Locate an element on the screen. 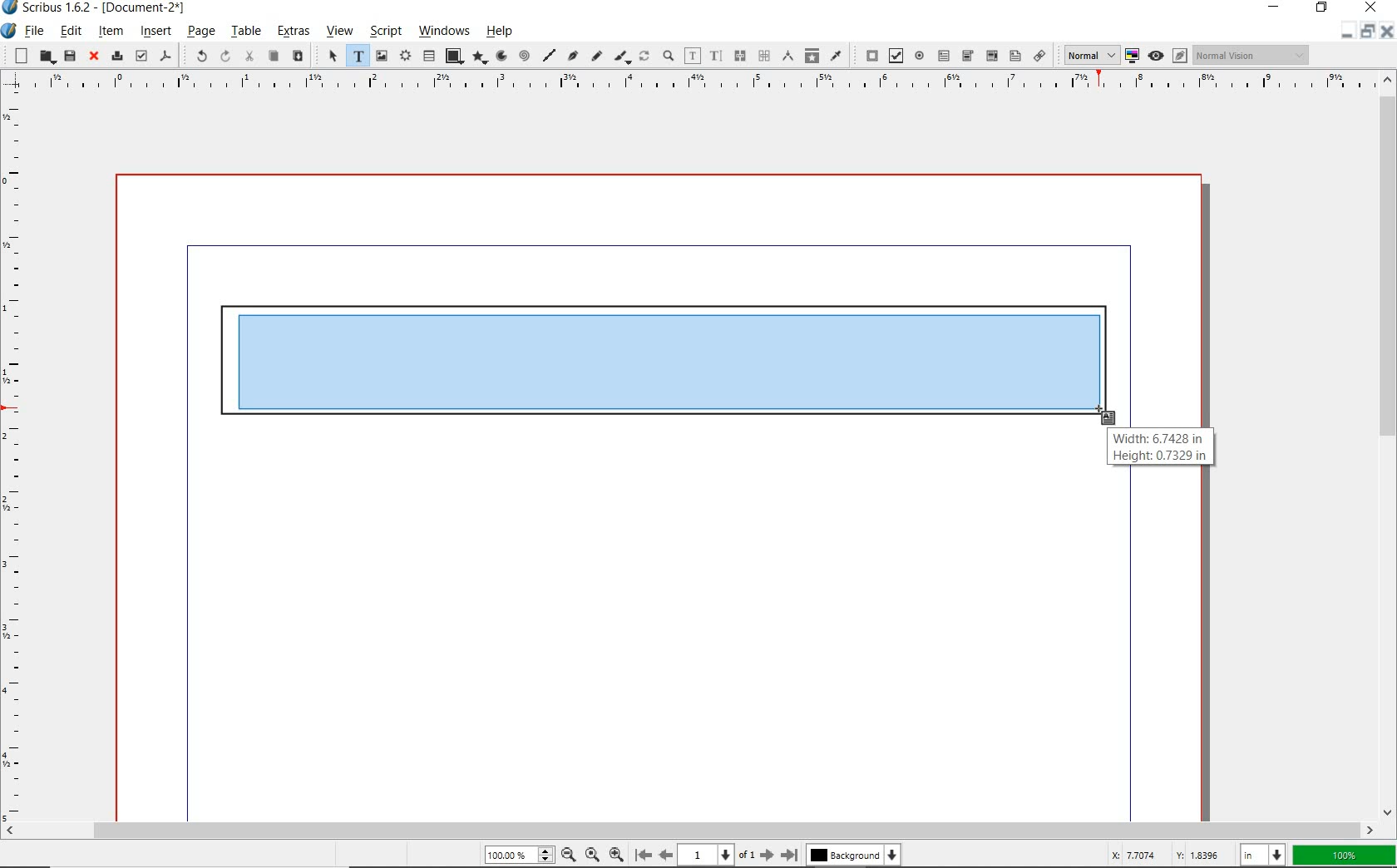 Image resolution: width=1397 pixels, height=868 pixels. page is located at coordinates (201, 31).